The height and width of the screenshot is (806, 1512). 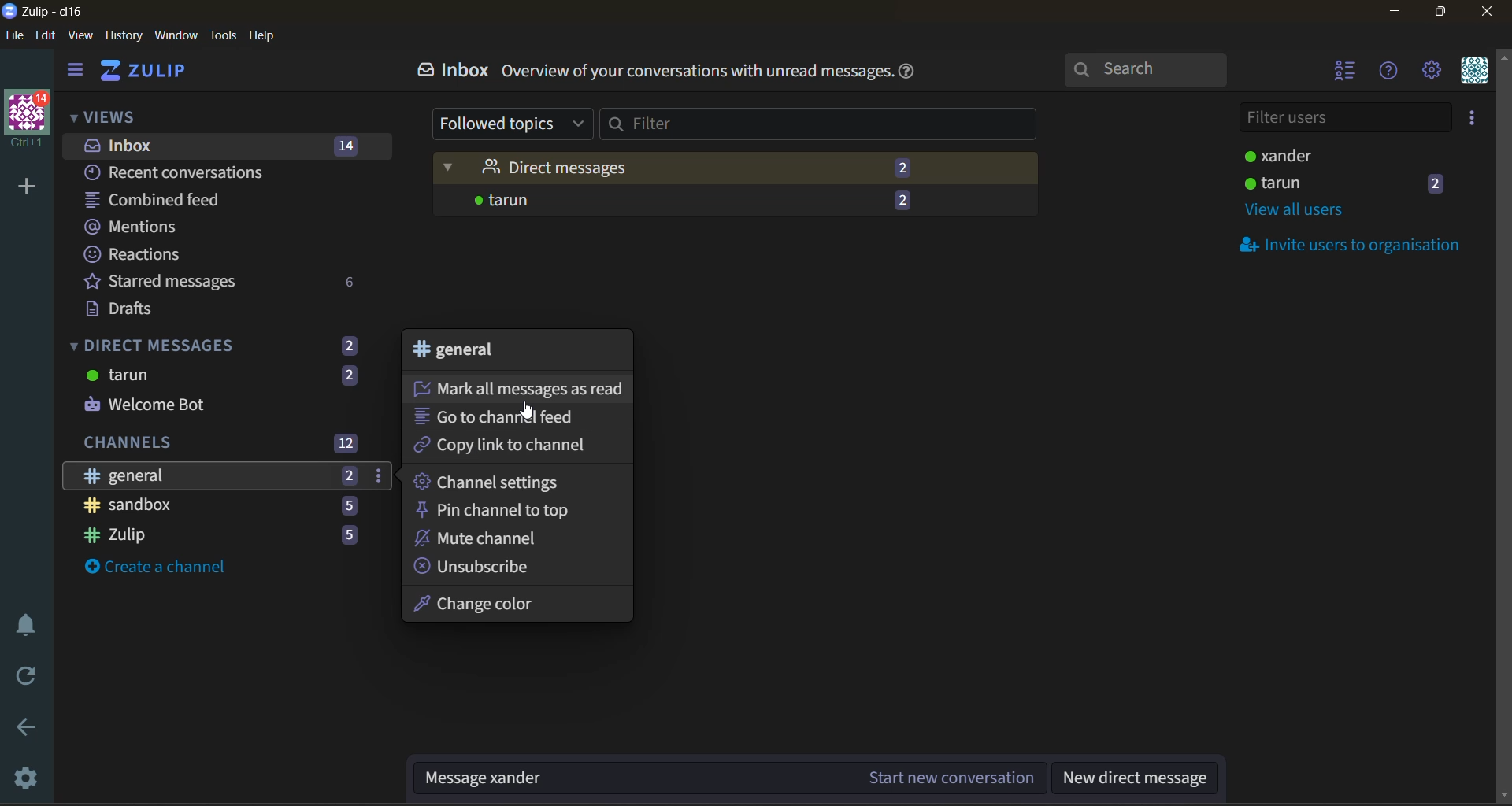 What do you see at coordinates (1343, 120) in the screenshot?
I see `filter users` at bounding box center [1343, 120].